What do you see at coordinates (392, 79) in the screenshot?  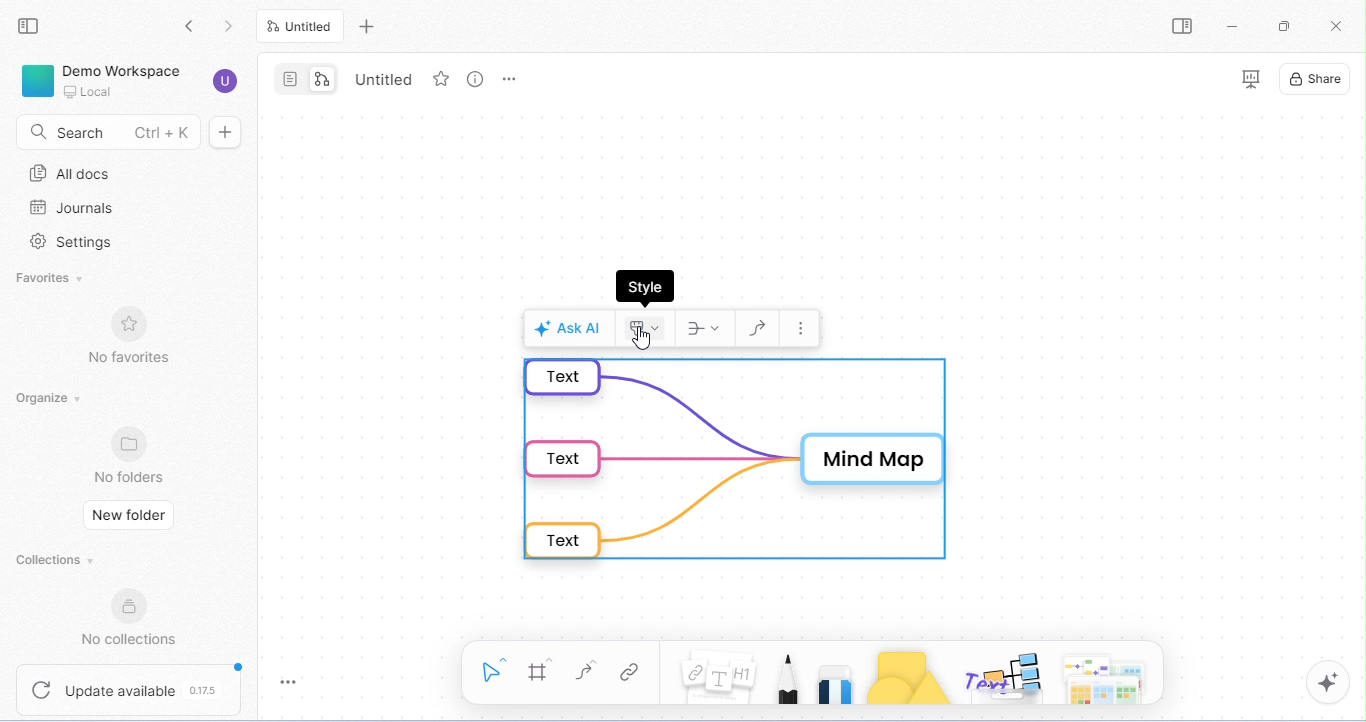 I see `tab name` at bounding box center [392, 79].